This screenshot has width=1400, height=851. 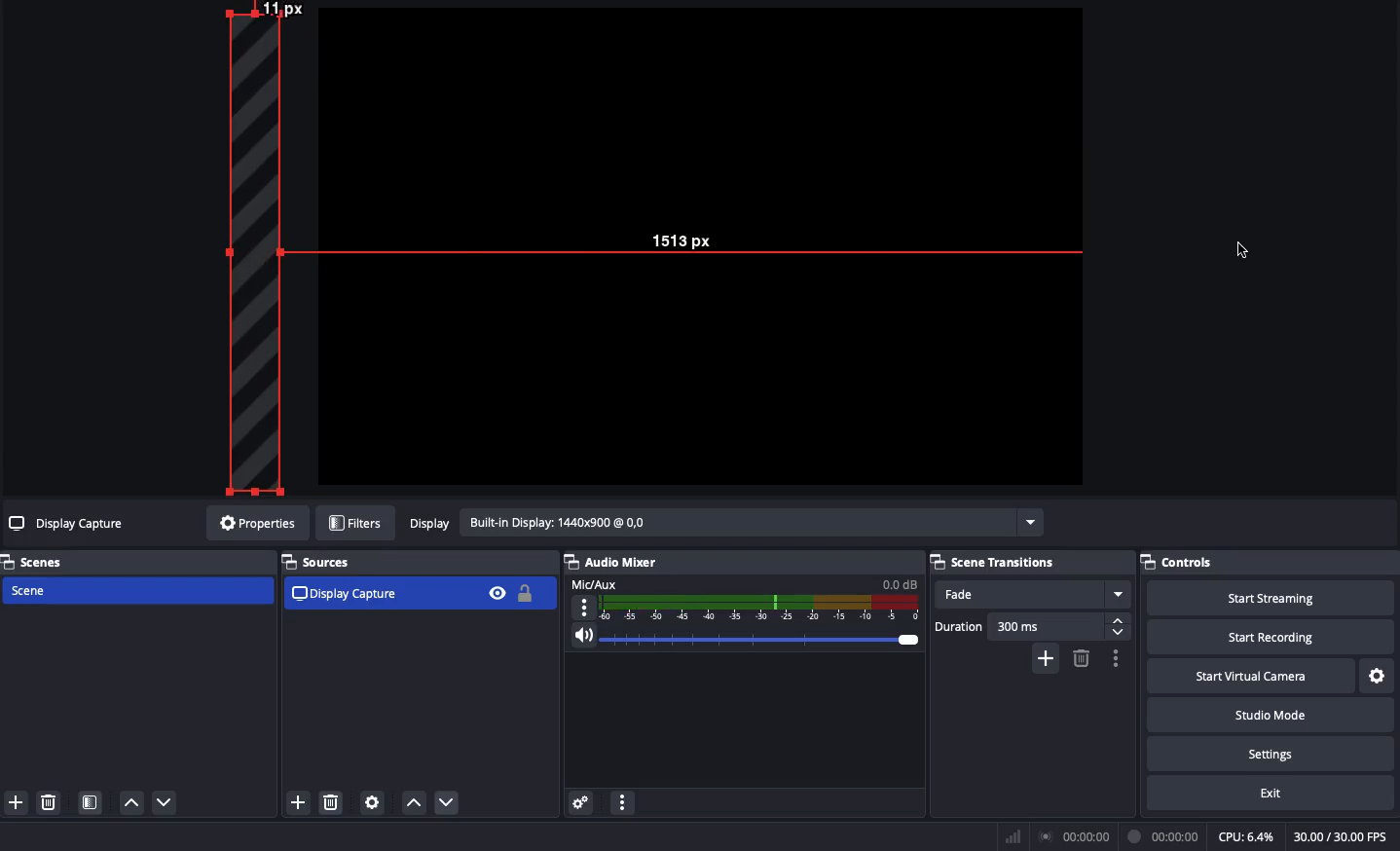 I want to click on Add, so click(x=15, y=803).